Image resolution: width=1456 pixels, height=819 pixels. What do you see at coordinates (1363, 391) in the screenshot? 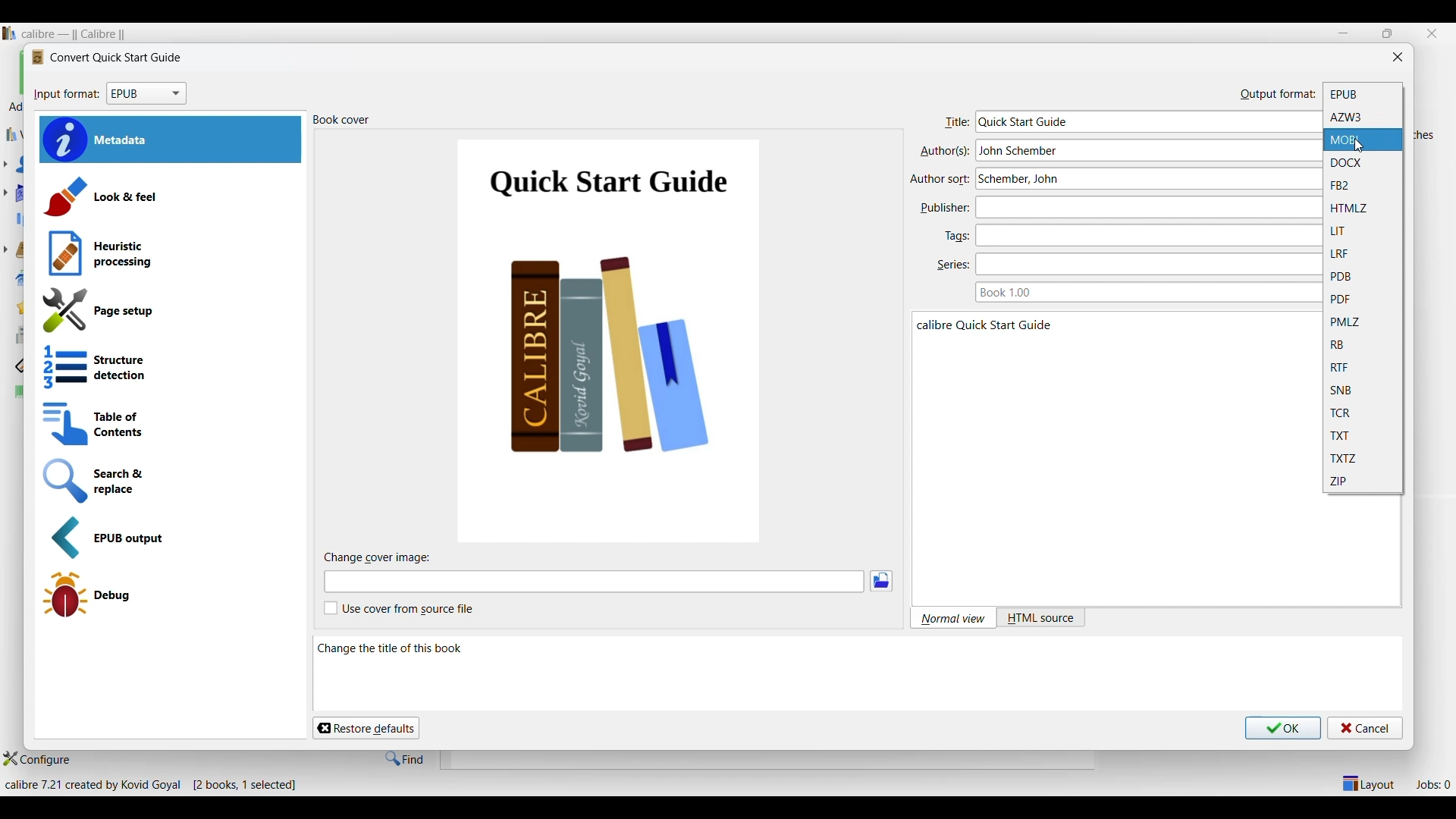
I see `SNB` at bounding box center [1363, 391].